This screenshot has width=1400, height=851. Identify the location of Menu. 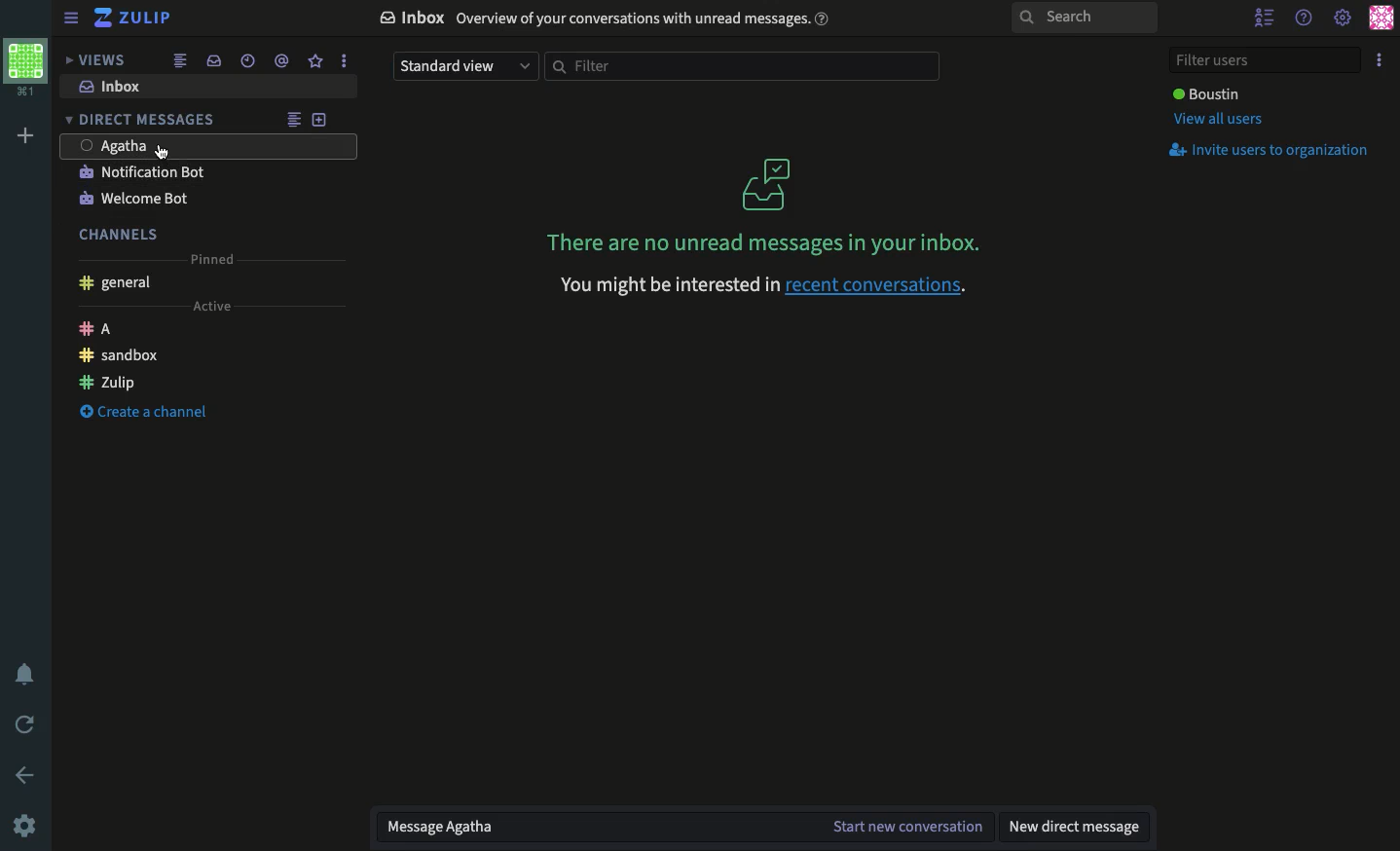
(70, 18).